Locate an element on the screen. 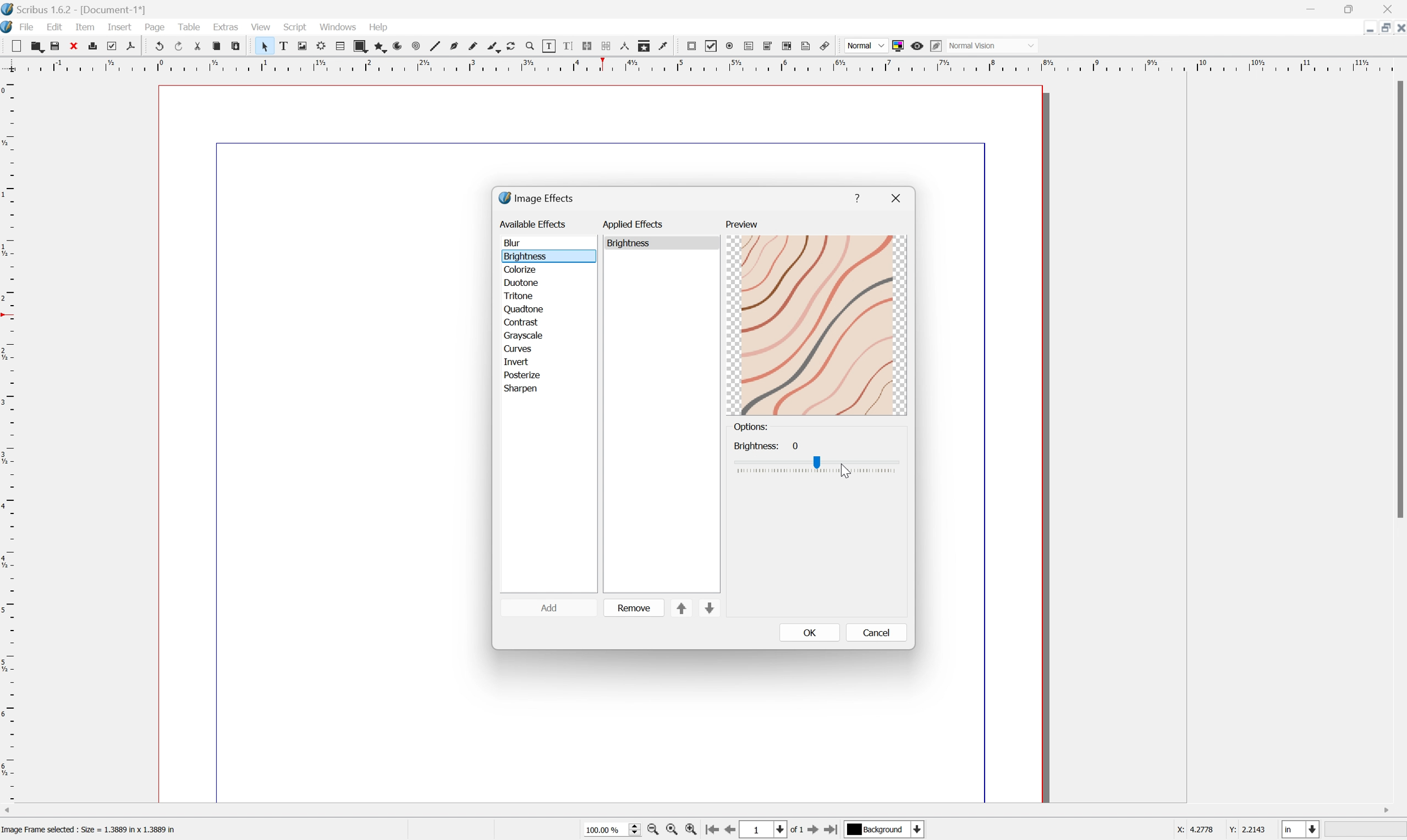  normal vision is located at coordinates (995, 47).